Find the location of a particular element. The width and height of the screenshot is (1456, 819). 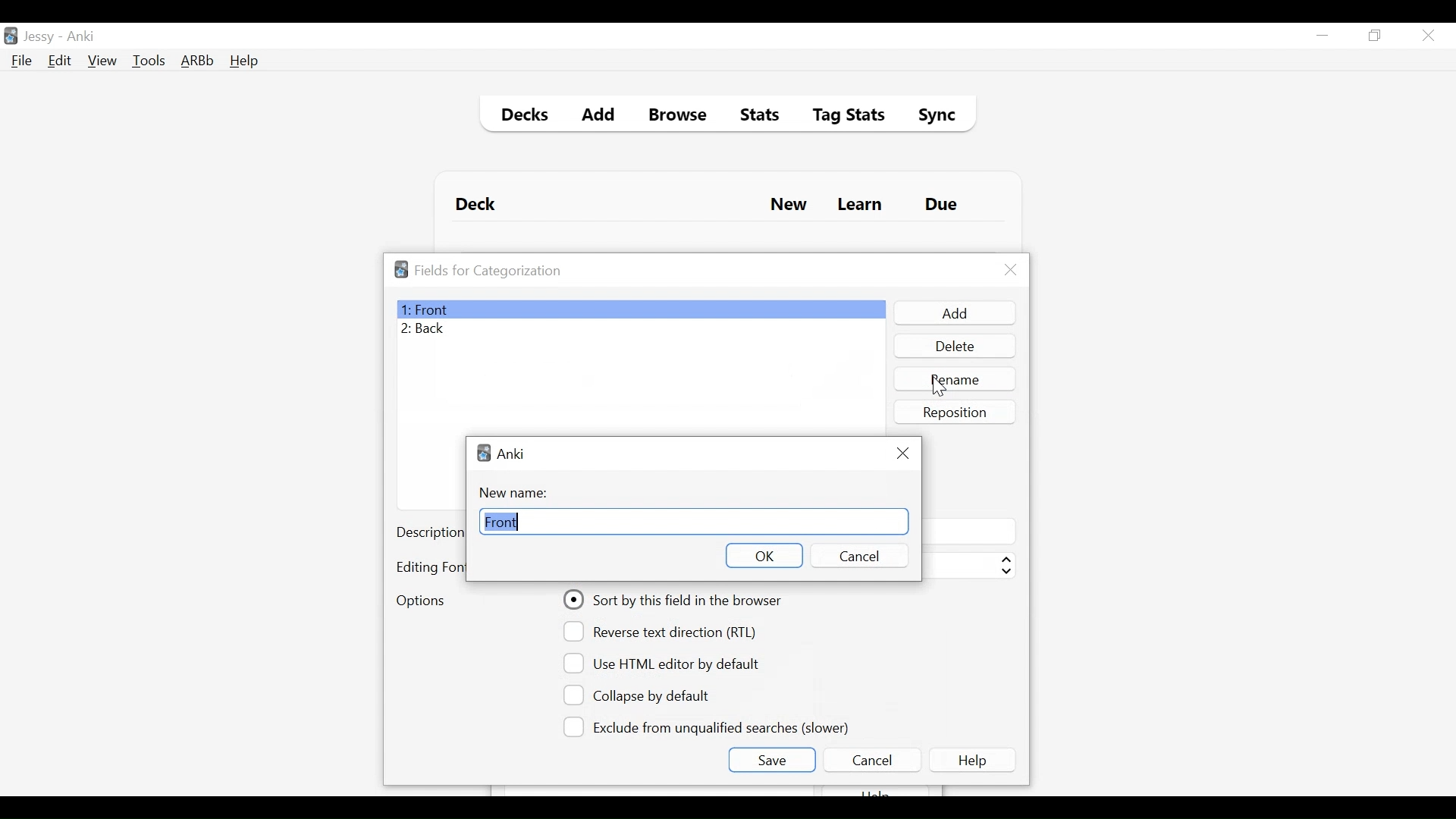

Anki is located at coordinates (81, 36).